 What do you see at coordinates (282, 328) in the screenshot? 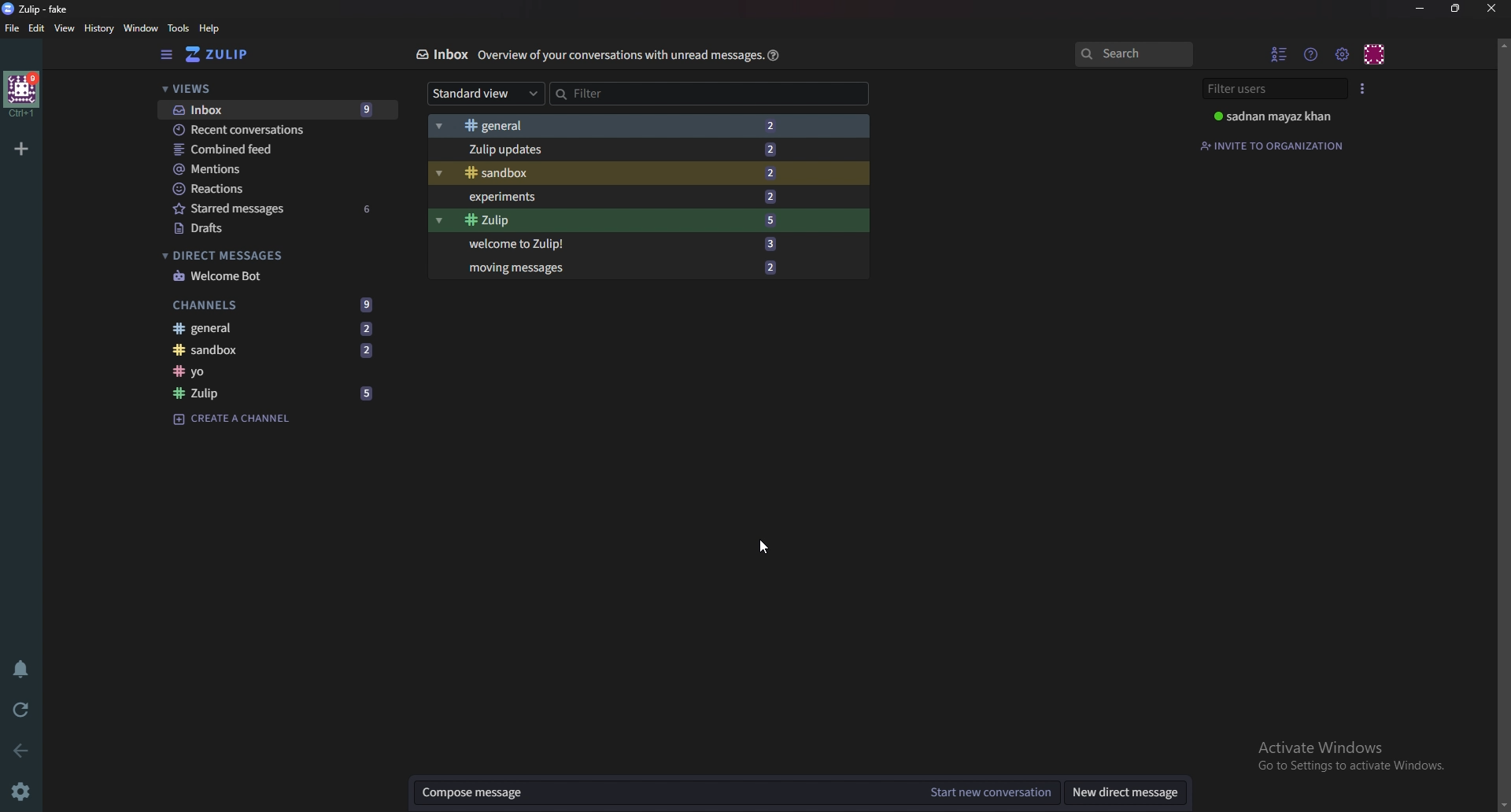
I see `General` at bounding box center [282, 328].